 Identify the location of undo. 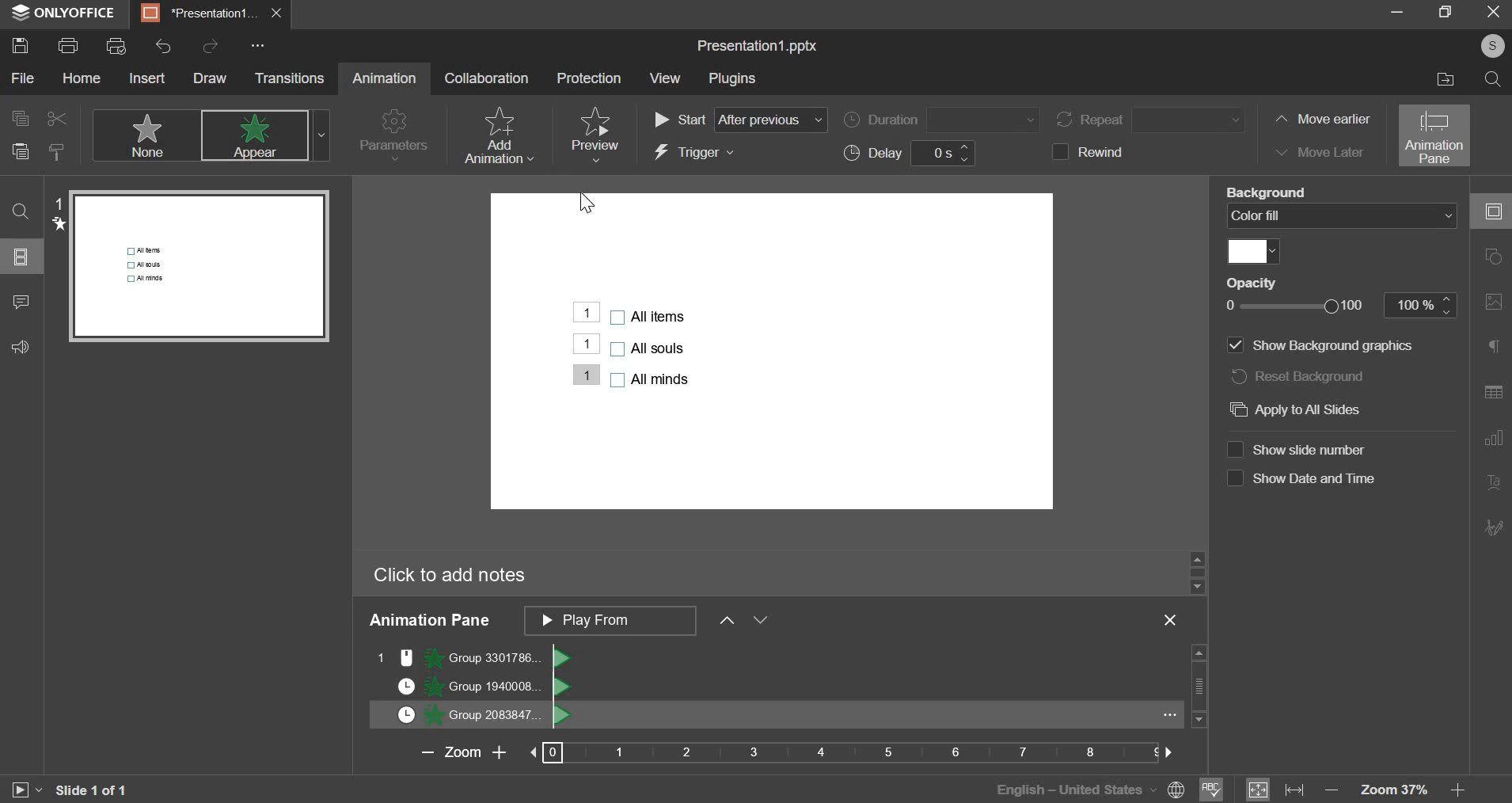
(163, 47).